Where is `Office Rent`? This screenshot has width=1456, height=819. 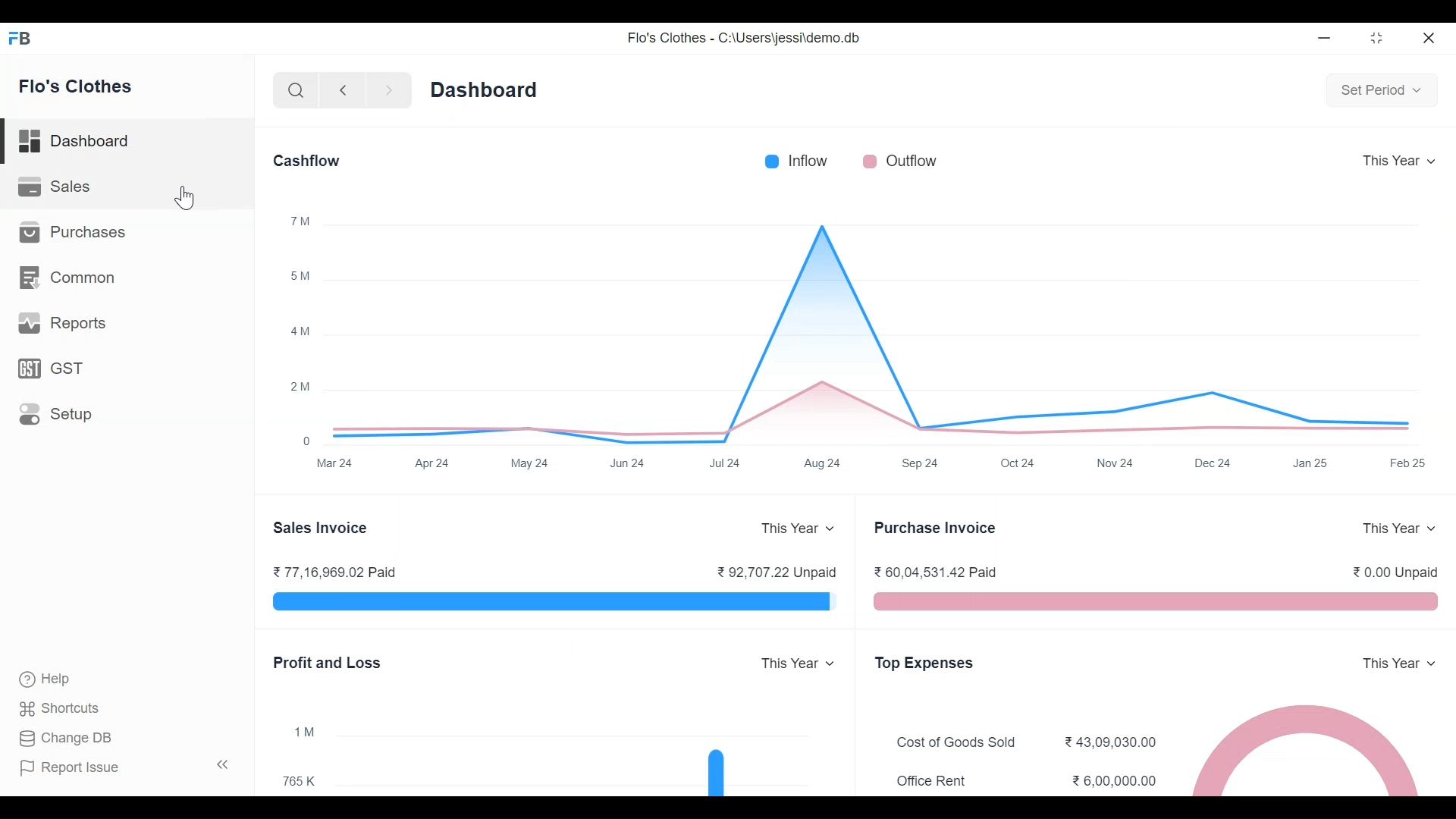 Office Rent is located at coordinates (933, 781).